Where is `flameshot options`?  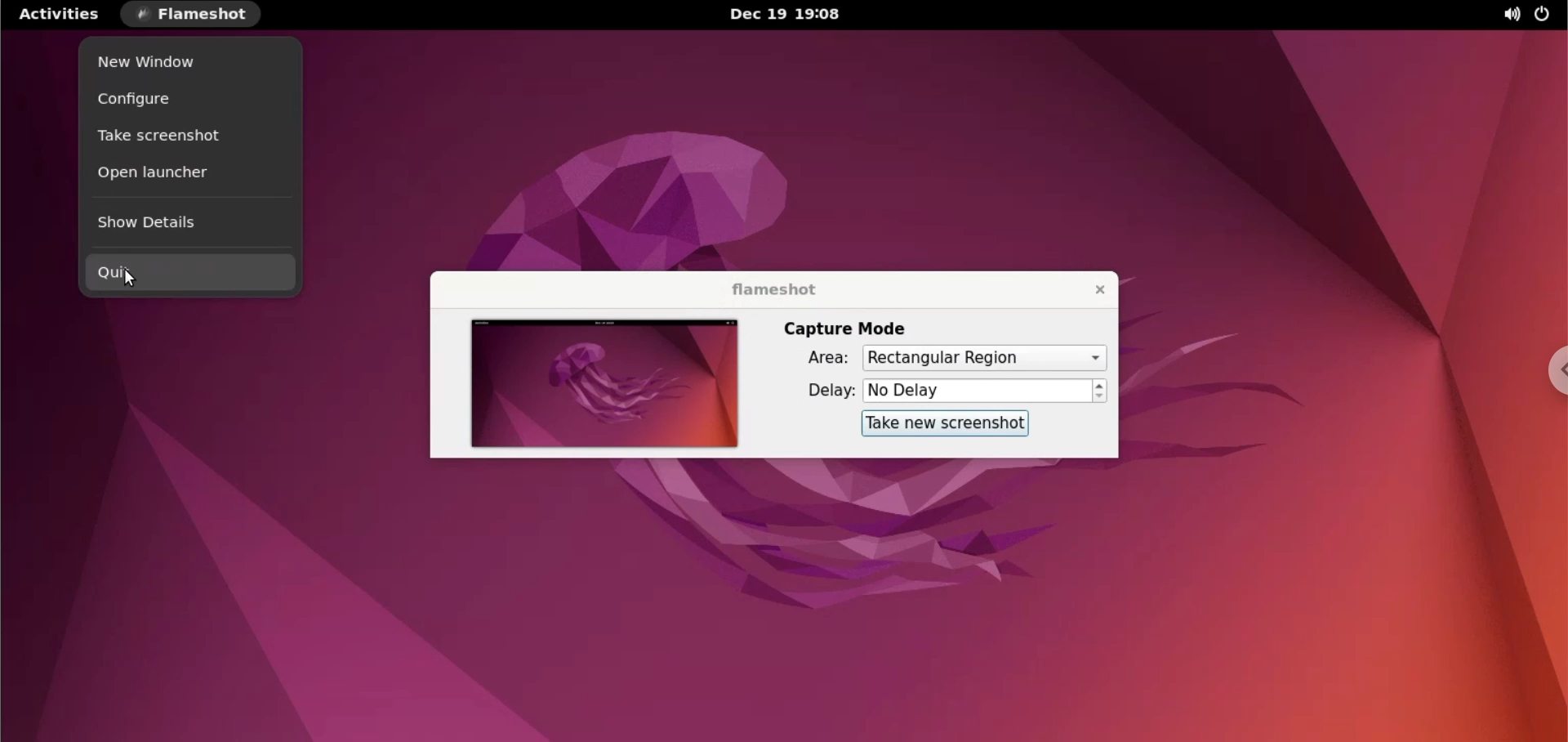
flameshot options is located at coordinates (194, 13).